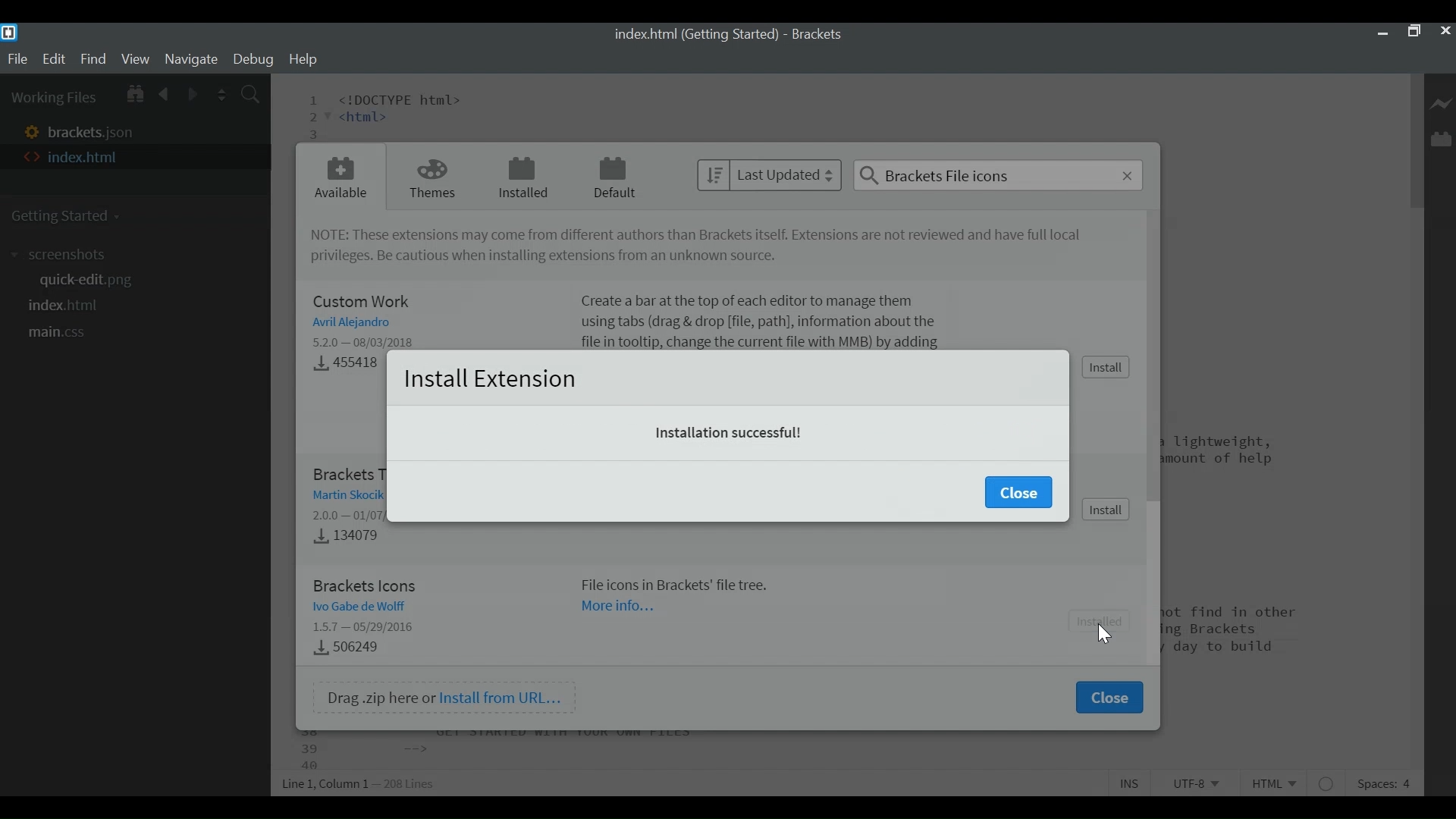 The image size is (1456, 819). Describe the element at coordinates (768, 176) in the screenshot. I see `Last Updated` at that location.